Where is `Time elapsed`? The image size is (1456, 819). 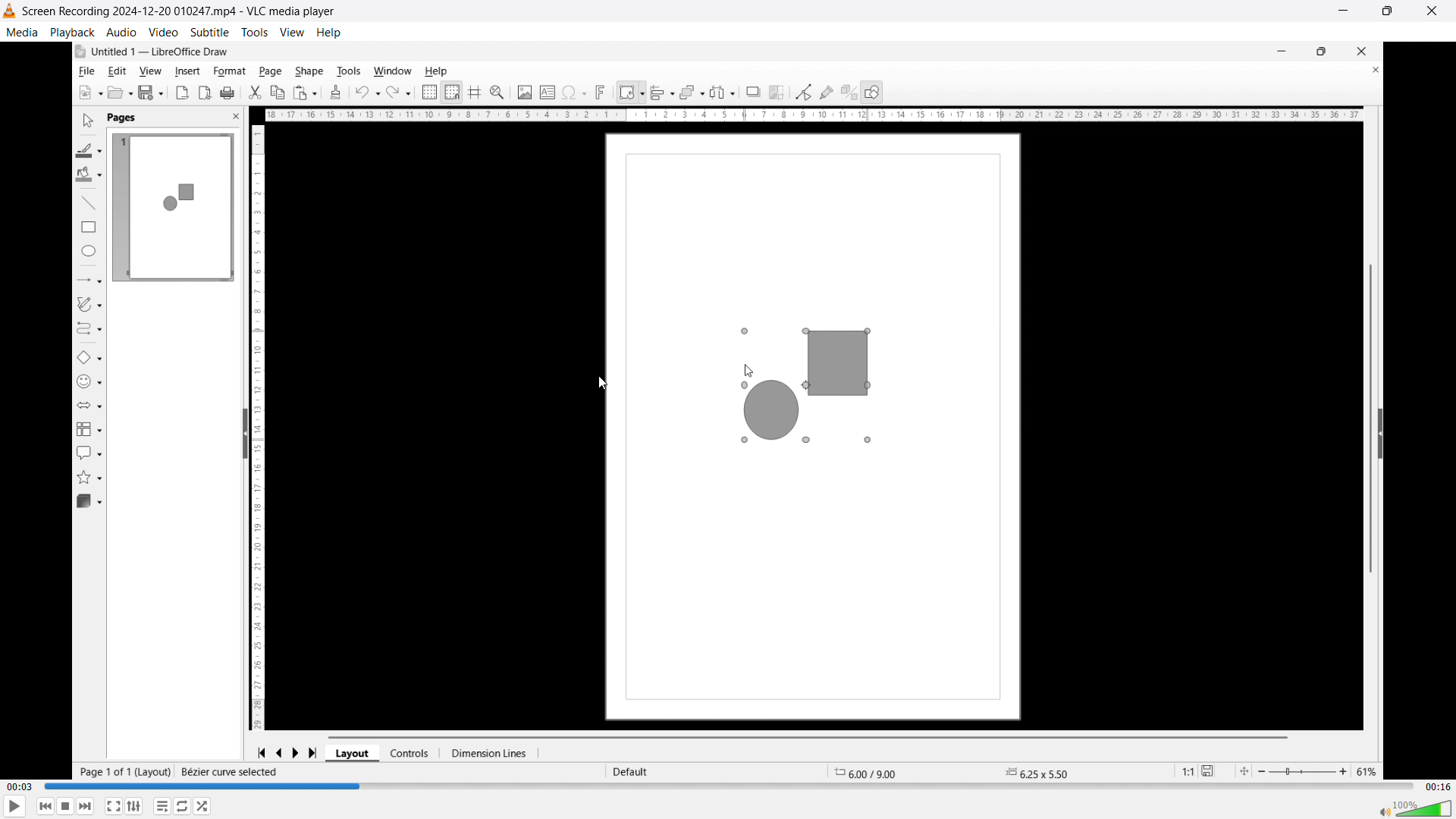
Time elapsed is located at coordinates (21, 787).